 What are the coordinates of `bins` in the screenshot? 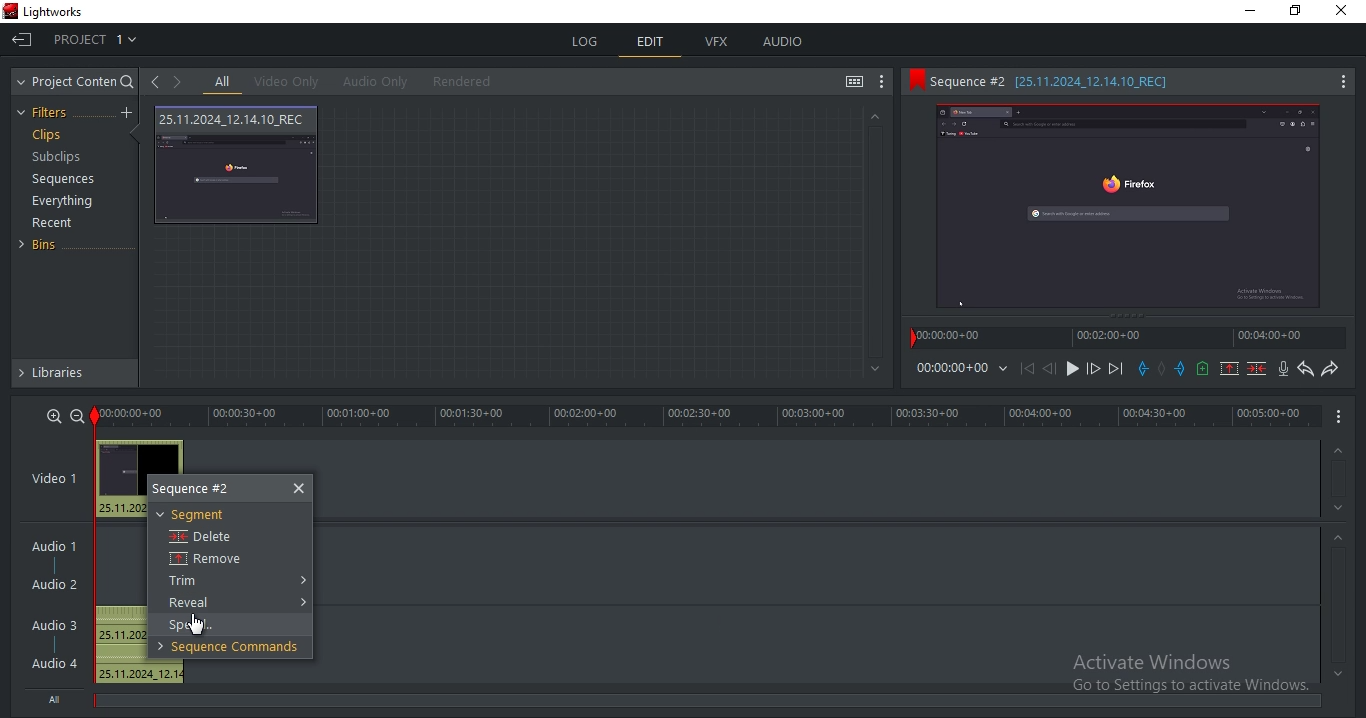 It's located at (46, 245).